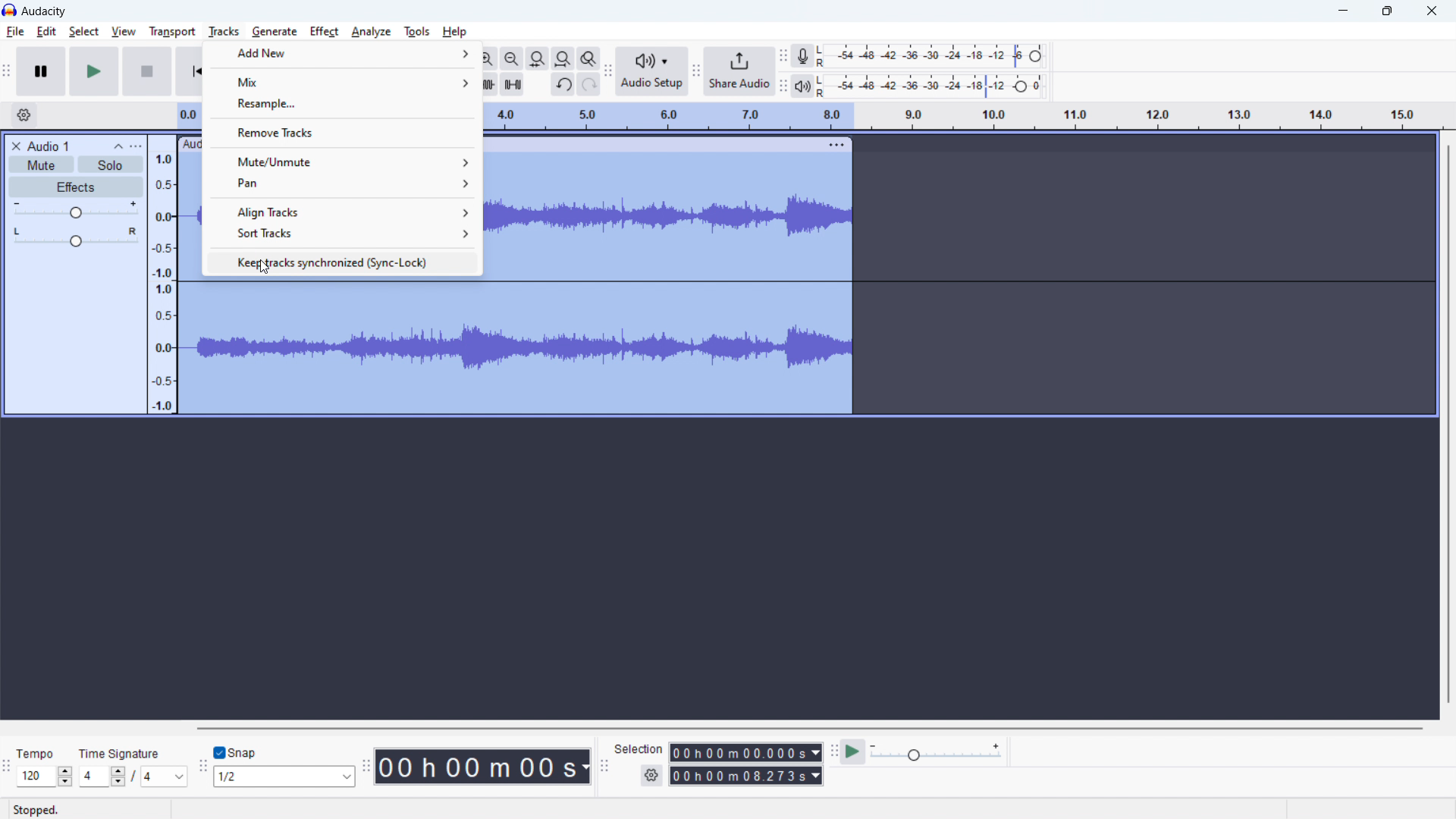 The image size is (1456, 819). What do you see at coordinates (783, 84) in the screenshot?
I see `playback meter toolbar` at bounding box center [783, 84].